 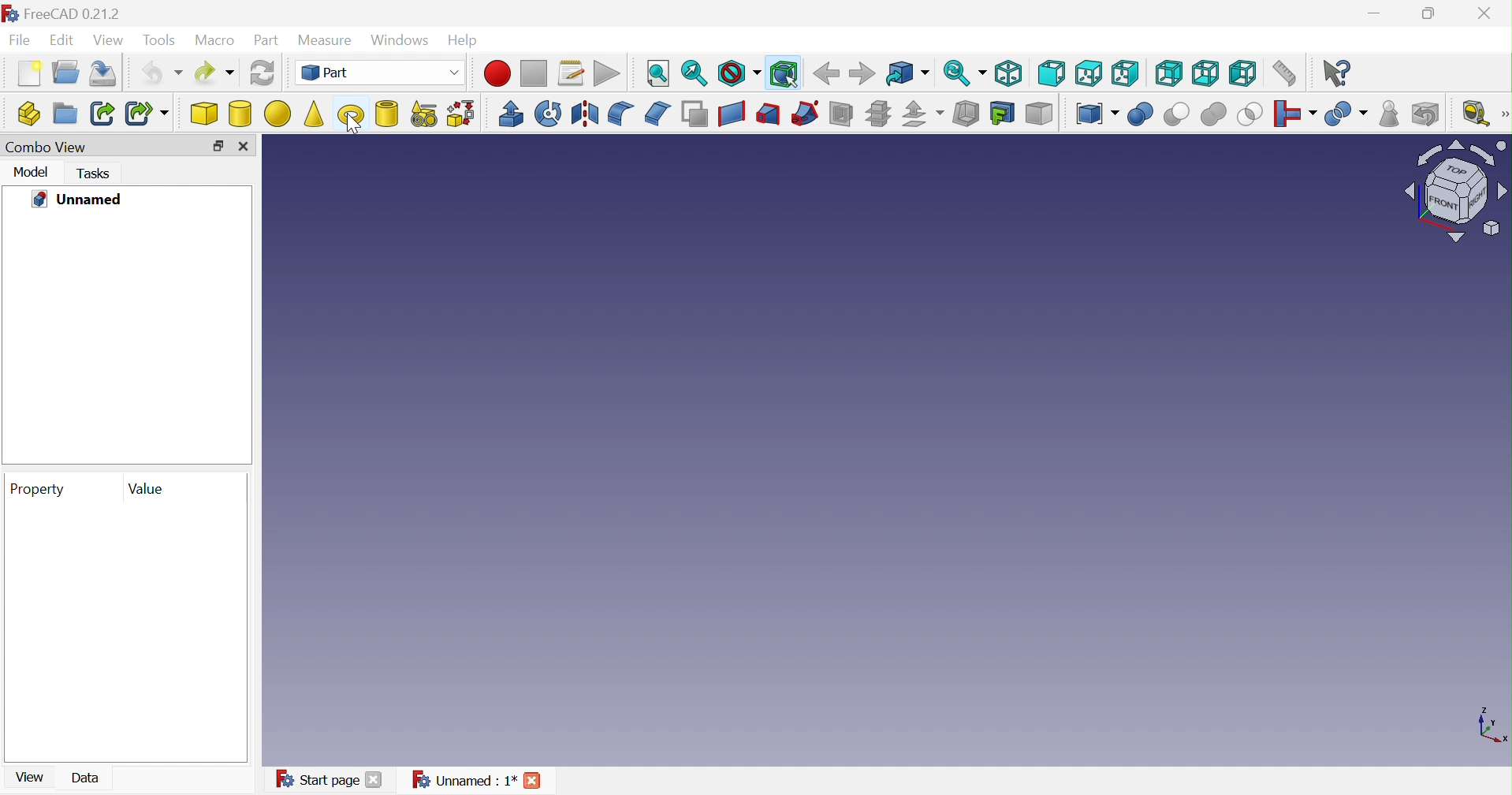 I want to click on Make face from wires, so click(x=694, y=113).